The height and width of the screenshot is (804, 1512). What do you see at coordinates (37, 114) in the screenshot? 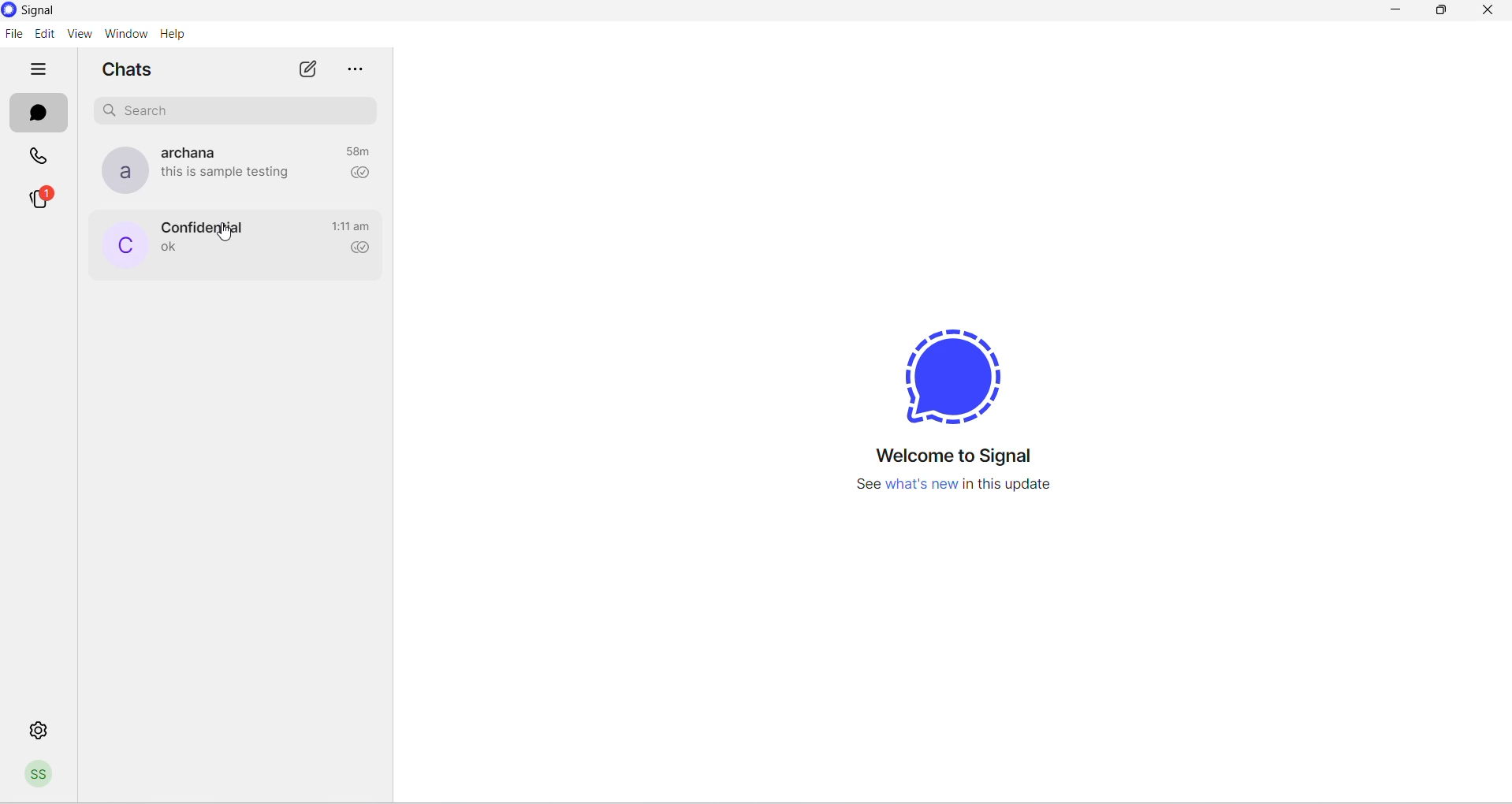
I see `messages` at bounding box center [37, 114].